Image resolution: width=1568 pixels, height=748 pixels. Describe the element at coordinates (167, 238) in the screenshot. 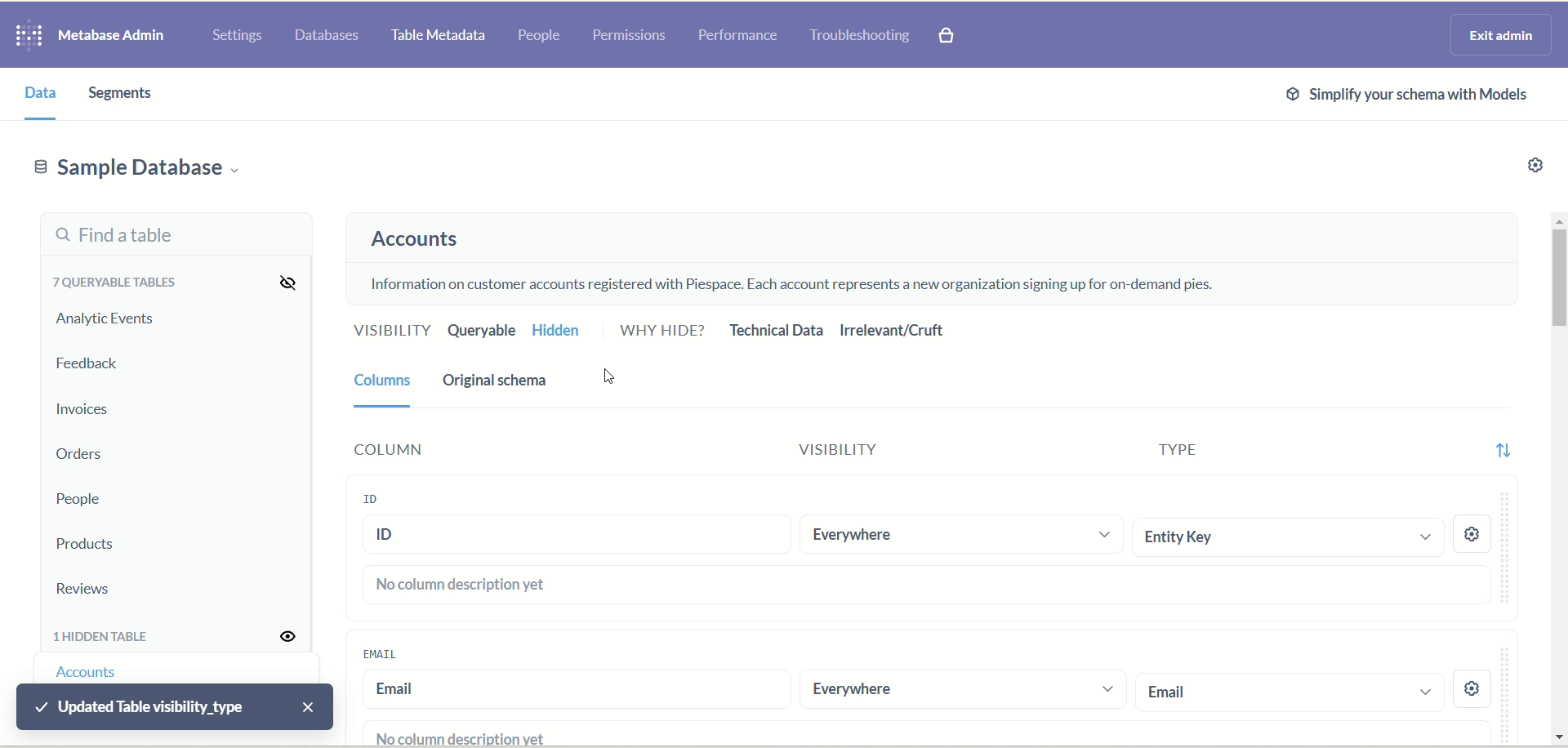

I see `find a table` at that location.